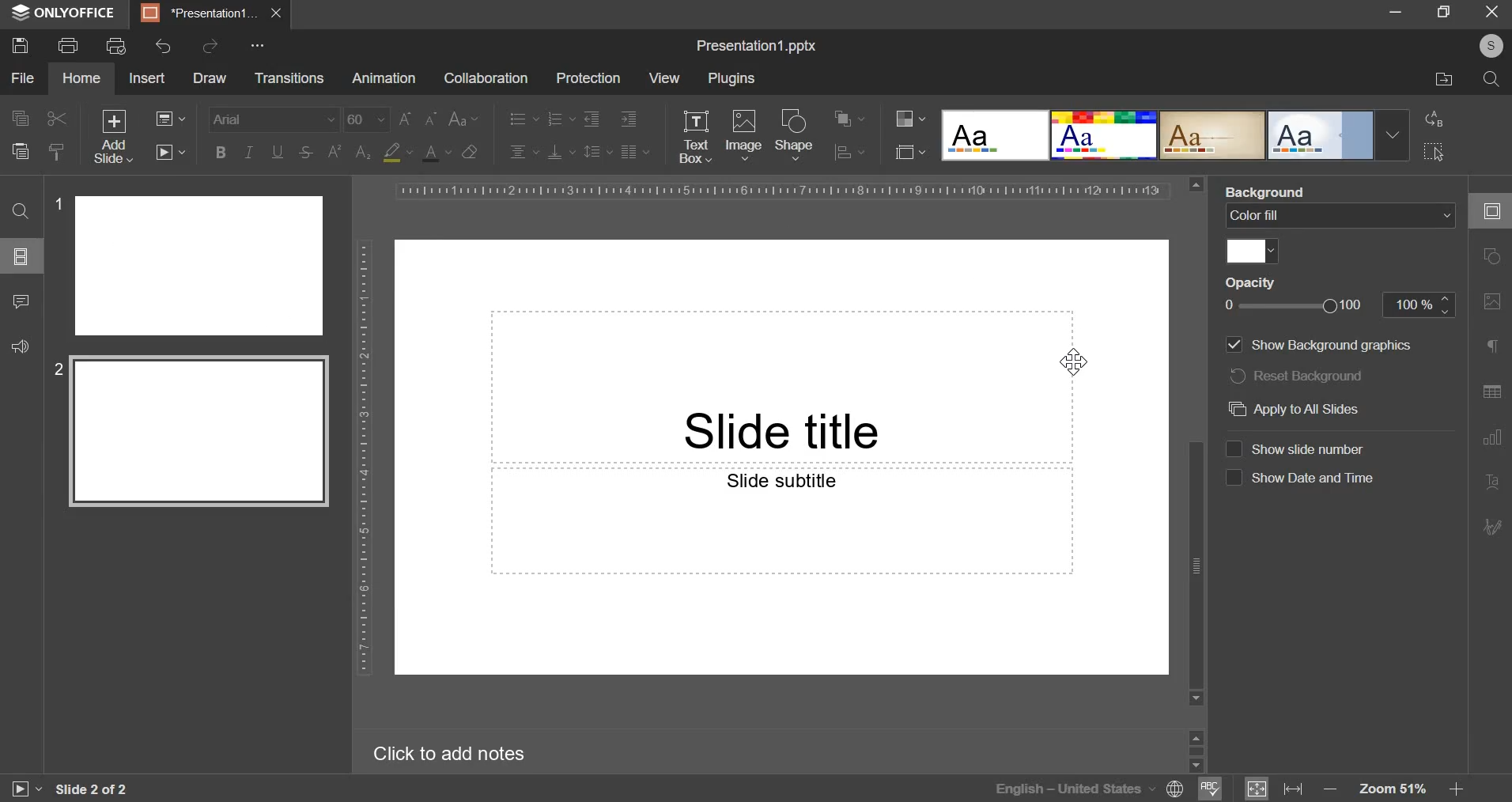 This screenshot has height=802, width=1512. Describe the element at coordinates (1257, 789) in the screenshot. I see `fit to slide` at that location.